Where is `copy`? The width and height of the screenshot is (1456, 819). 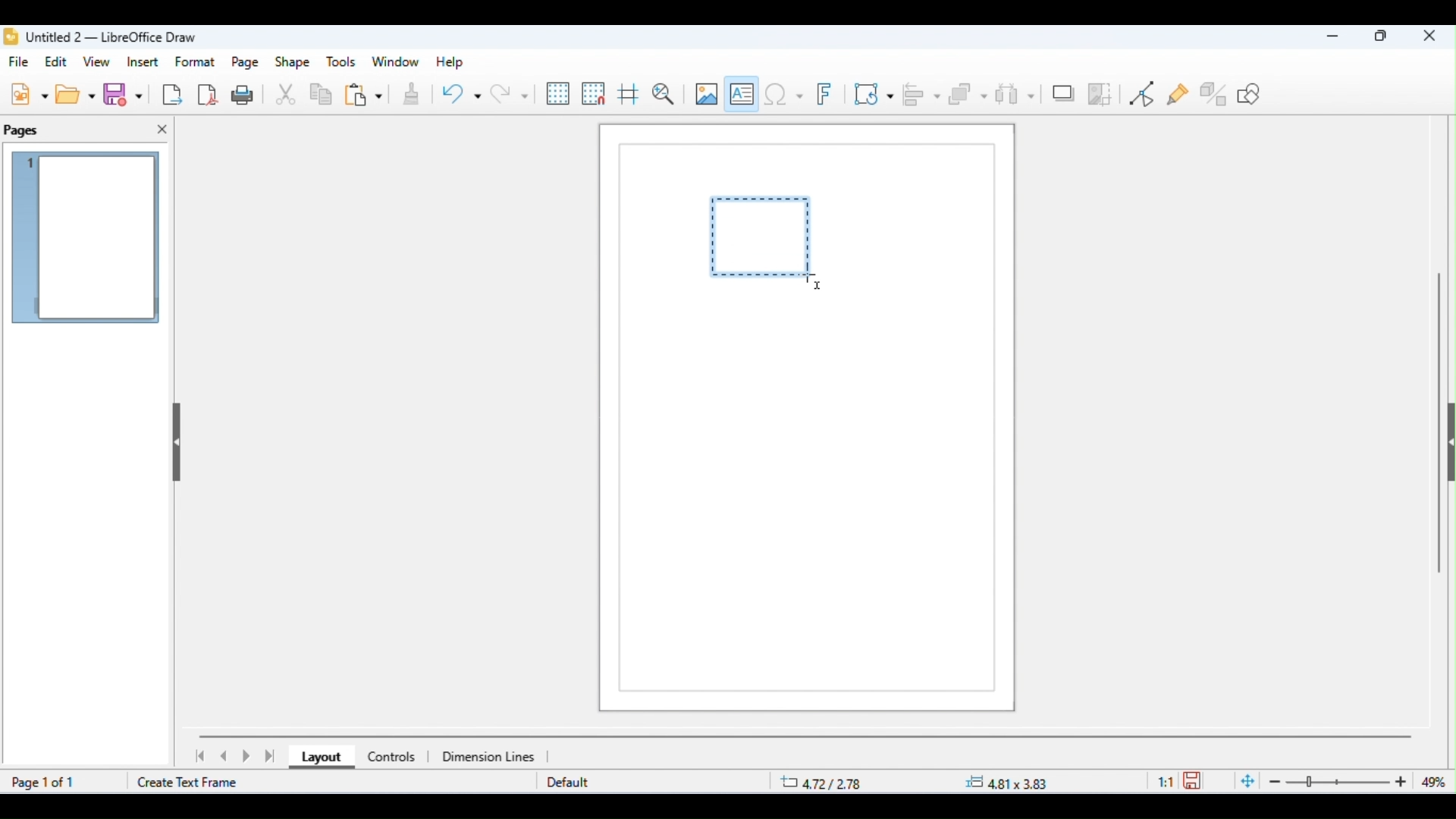 copy is located at coordinates (322, 96).